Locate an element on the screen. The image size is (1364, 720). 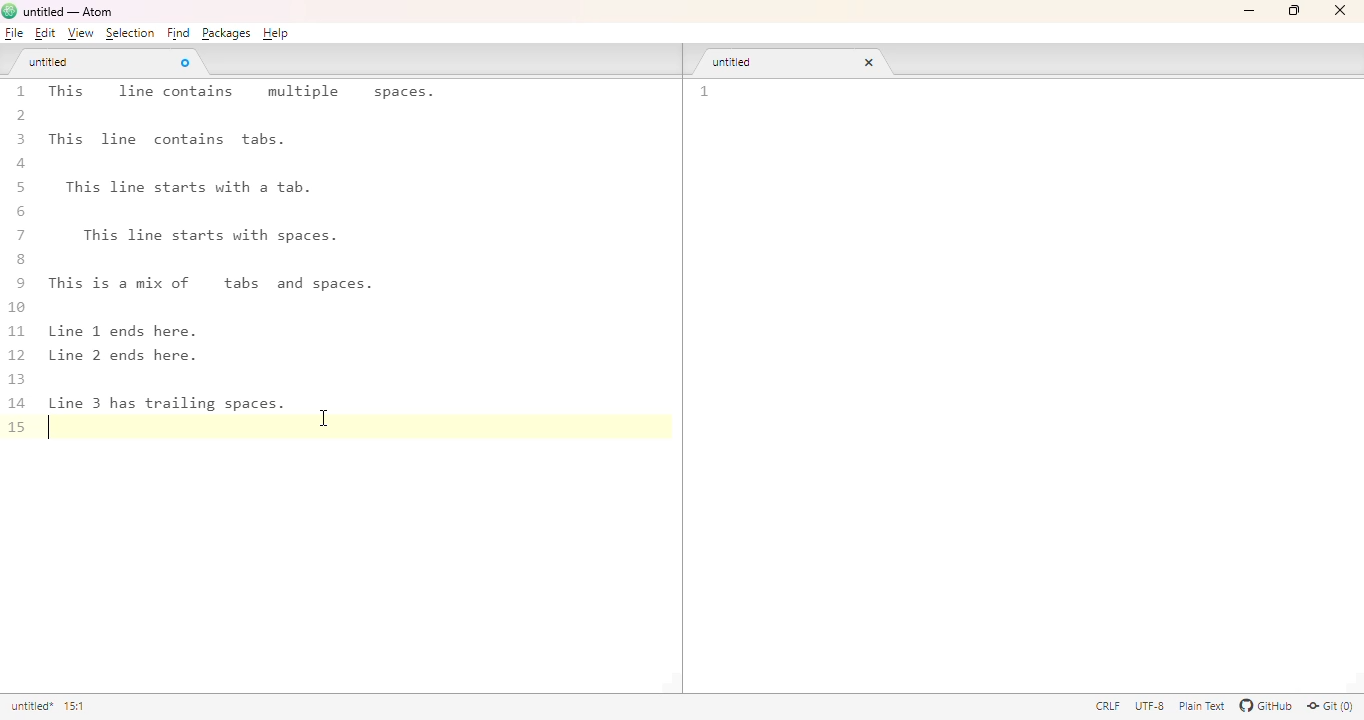
packages is located at coordinates (225, 34).